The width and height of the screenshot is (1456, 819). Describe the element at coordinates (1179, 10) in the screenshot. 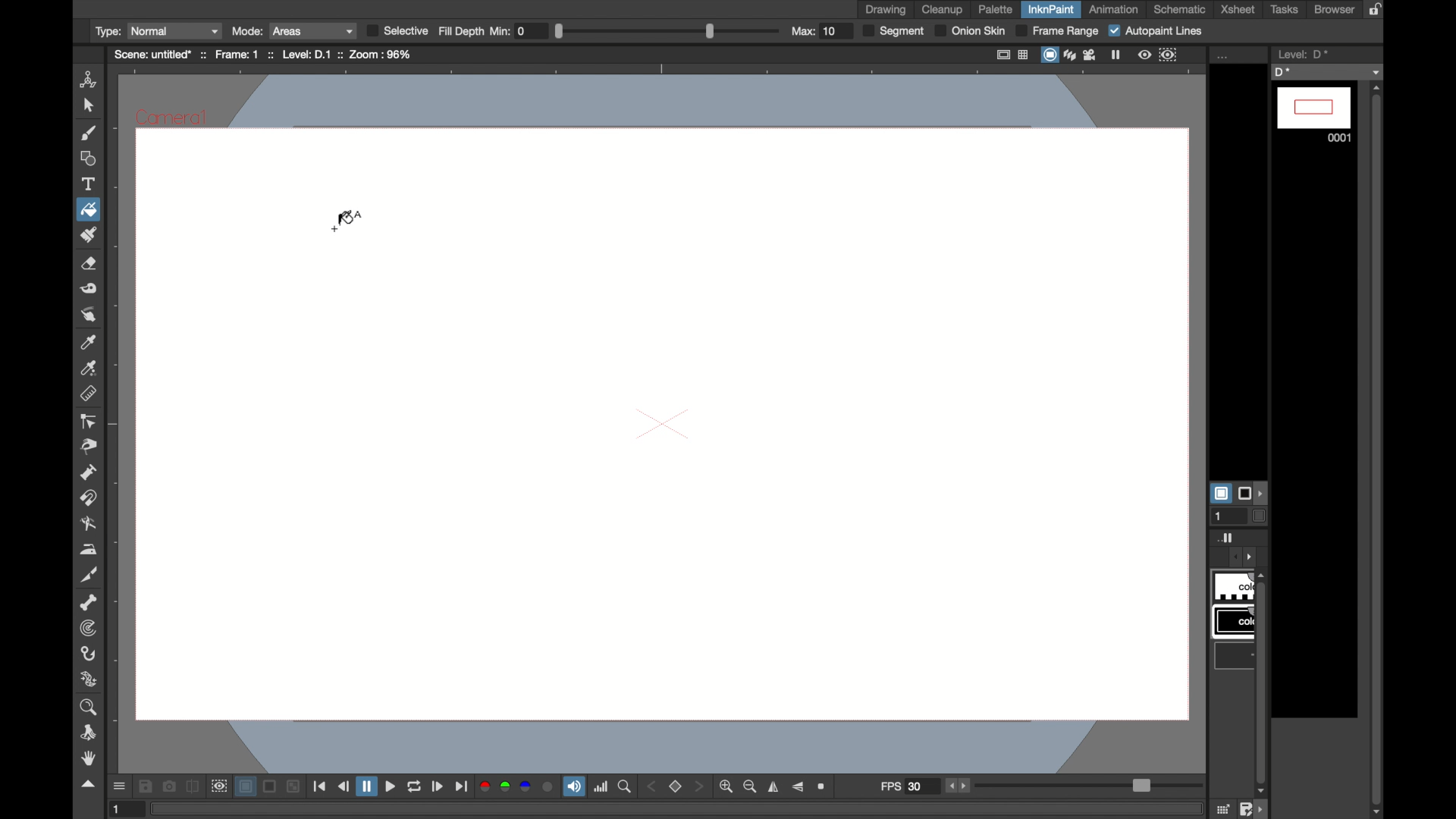

I see `schematic` at that location.